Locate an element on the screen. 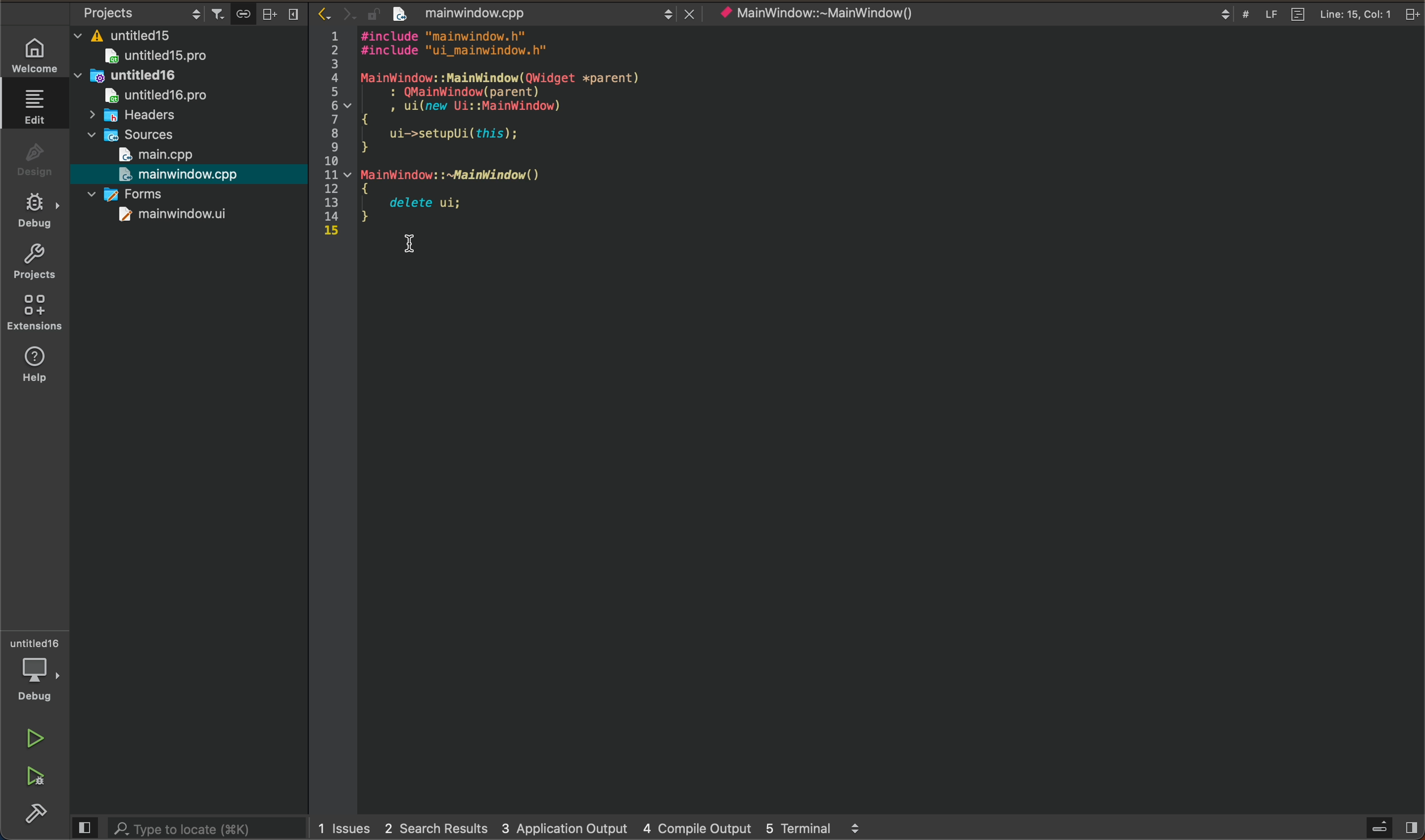  mainwindow.cpp is located at coordinates (181, 176).